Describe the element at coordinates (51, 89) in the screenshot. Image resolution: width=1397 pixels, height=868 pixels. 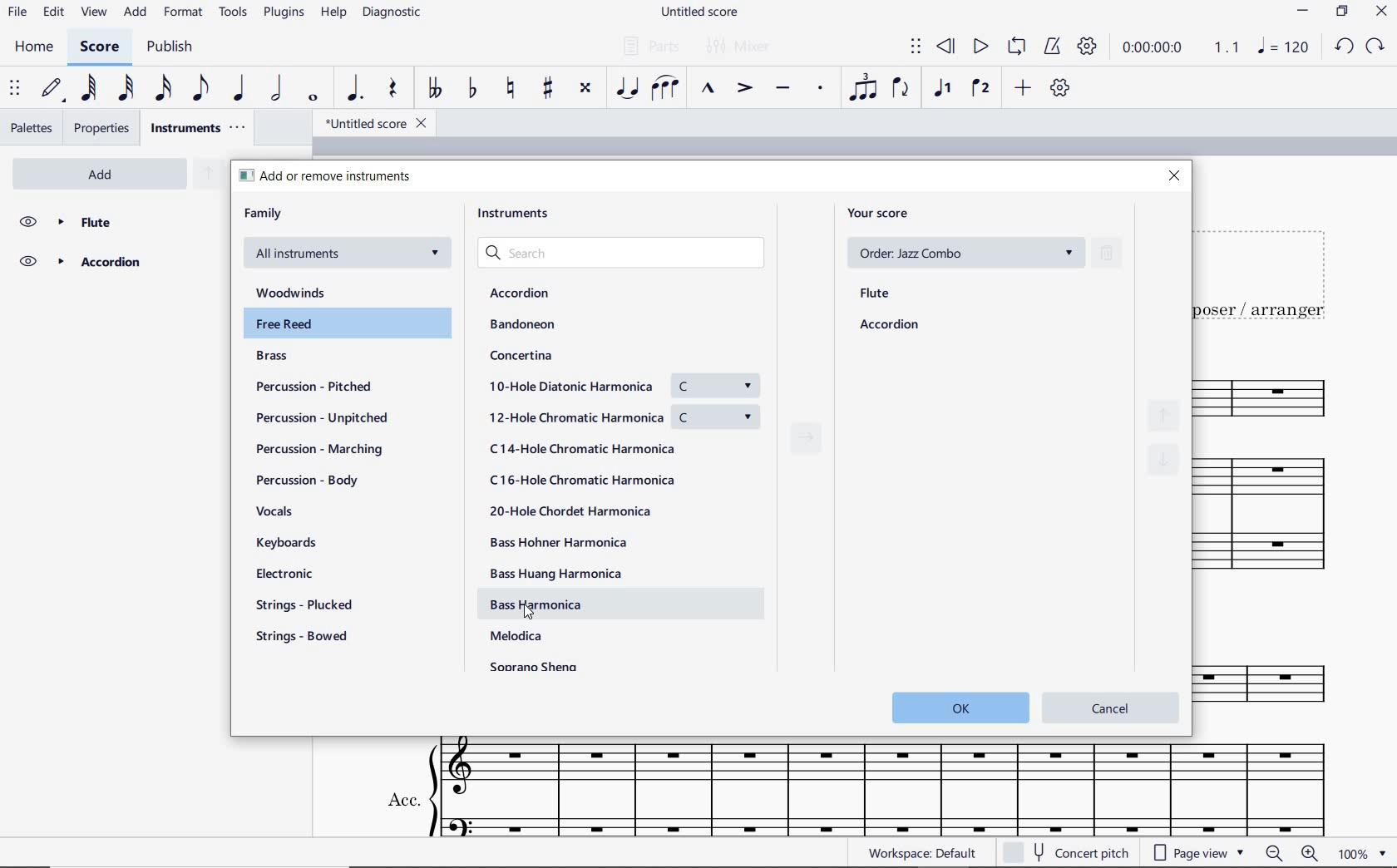
I see `default (step time)` at that location.